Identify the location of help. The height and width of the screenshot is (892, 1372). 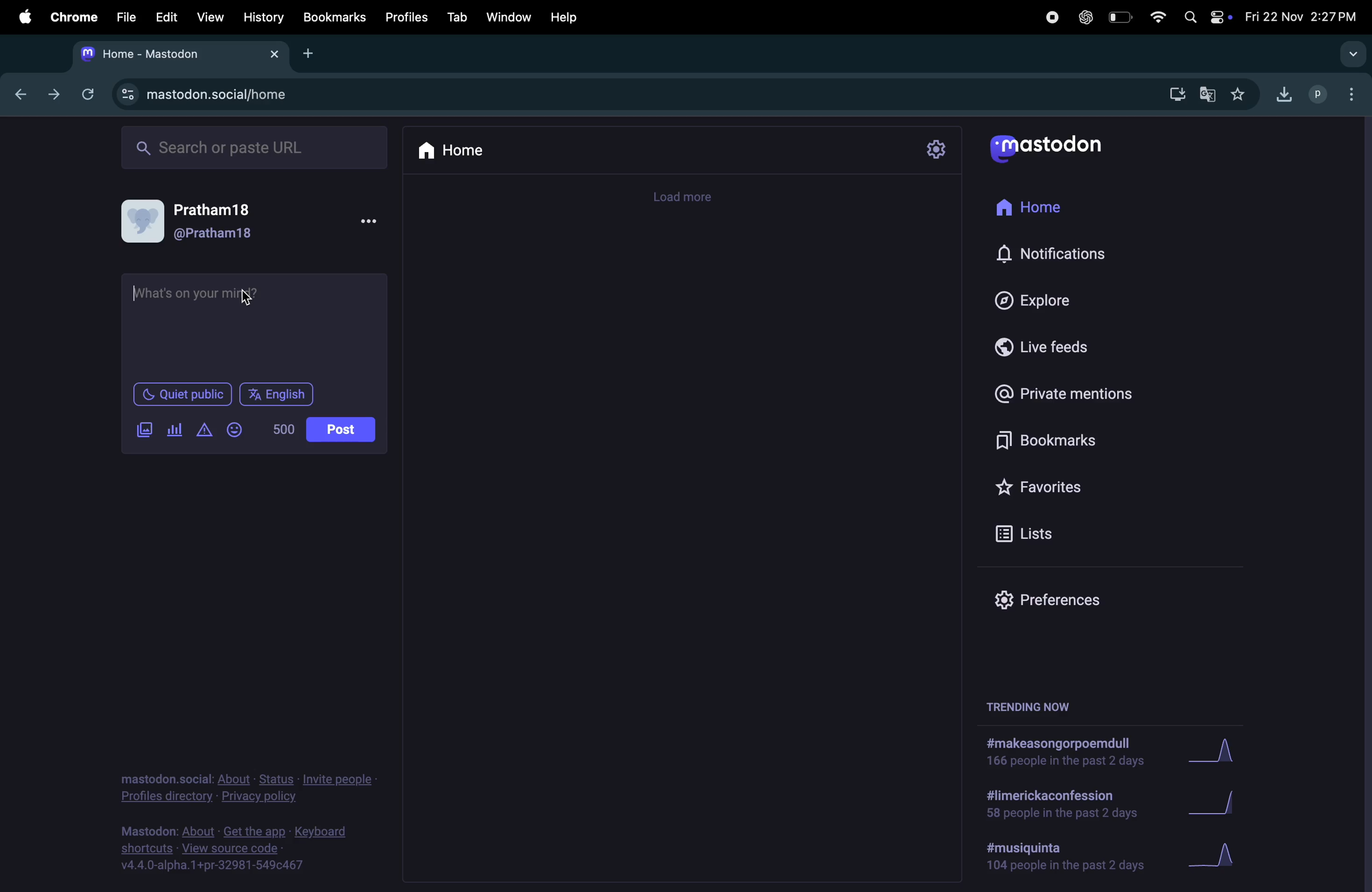
(567, 17).